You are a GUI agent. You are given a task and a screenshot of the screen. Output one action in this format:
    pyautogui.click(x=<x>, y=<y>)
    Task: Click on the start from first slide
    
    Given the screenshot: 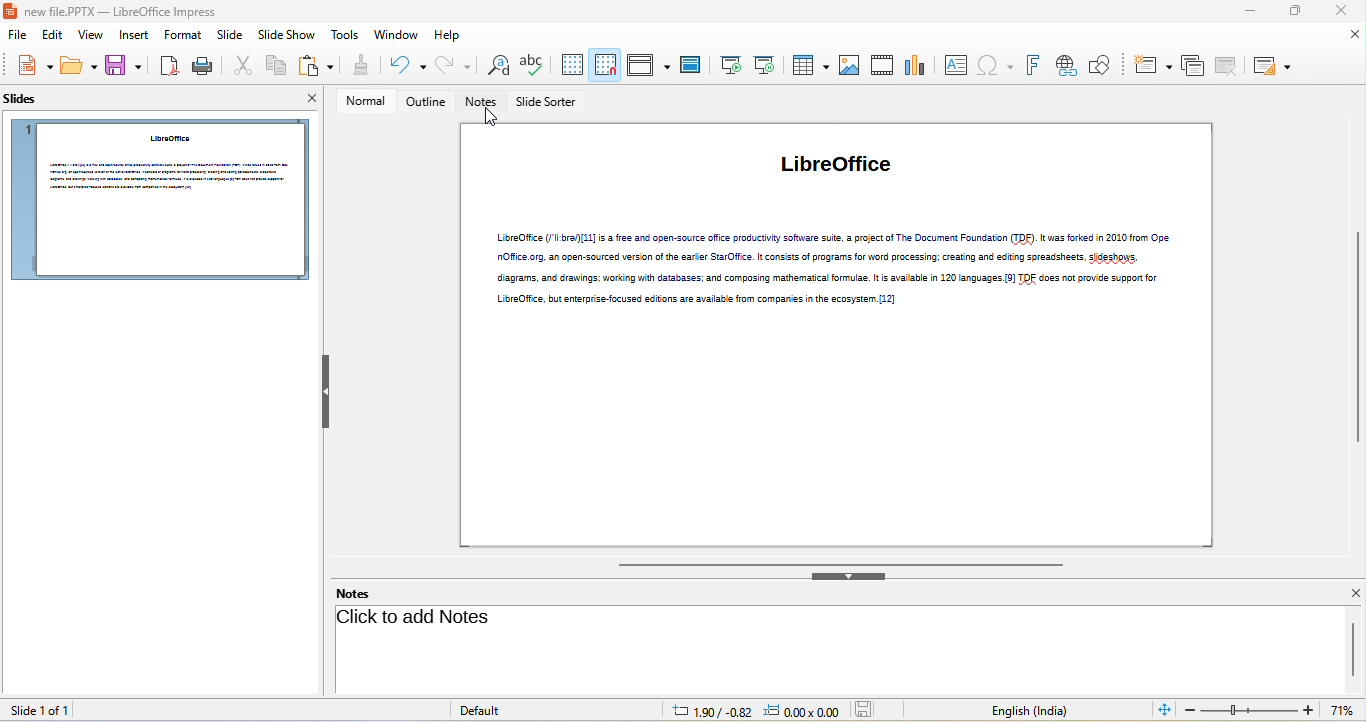 What is the action you would take?
    pyautogui.click(x=729, y=65)
    